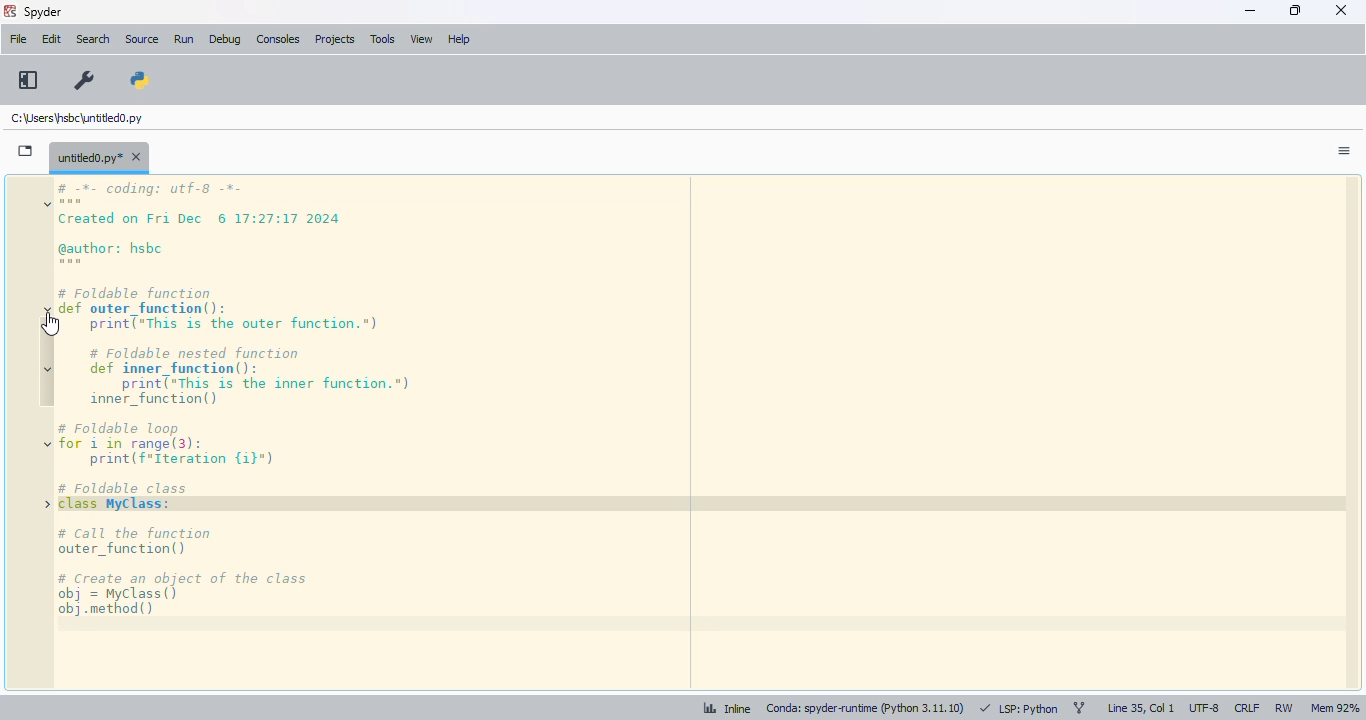 This screenshot has height=720, width=1366. Describe the element at coordinates (85, 81) in the screenshot. I see `preferences` at that location.